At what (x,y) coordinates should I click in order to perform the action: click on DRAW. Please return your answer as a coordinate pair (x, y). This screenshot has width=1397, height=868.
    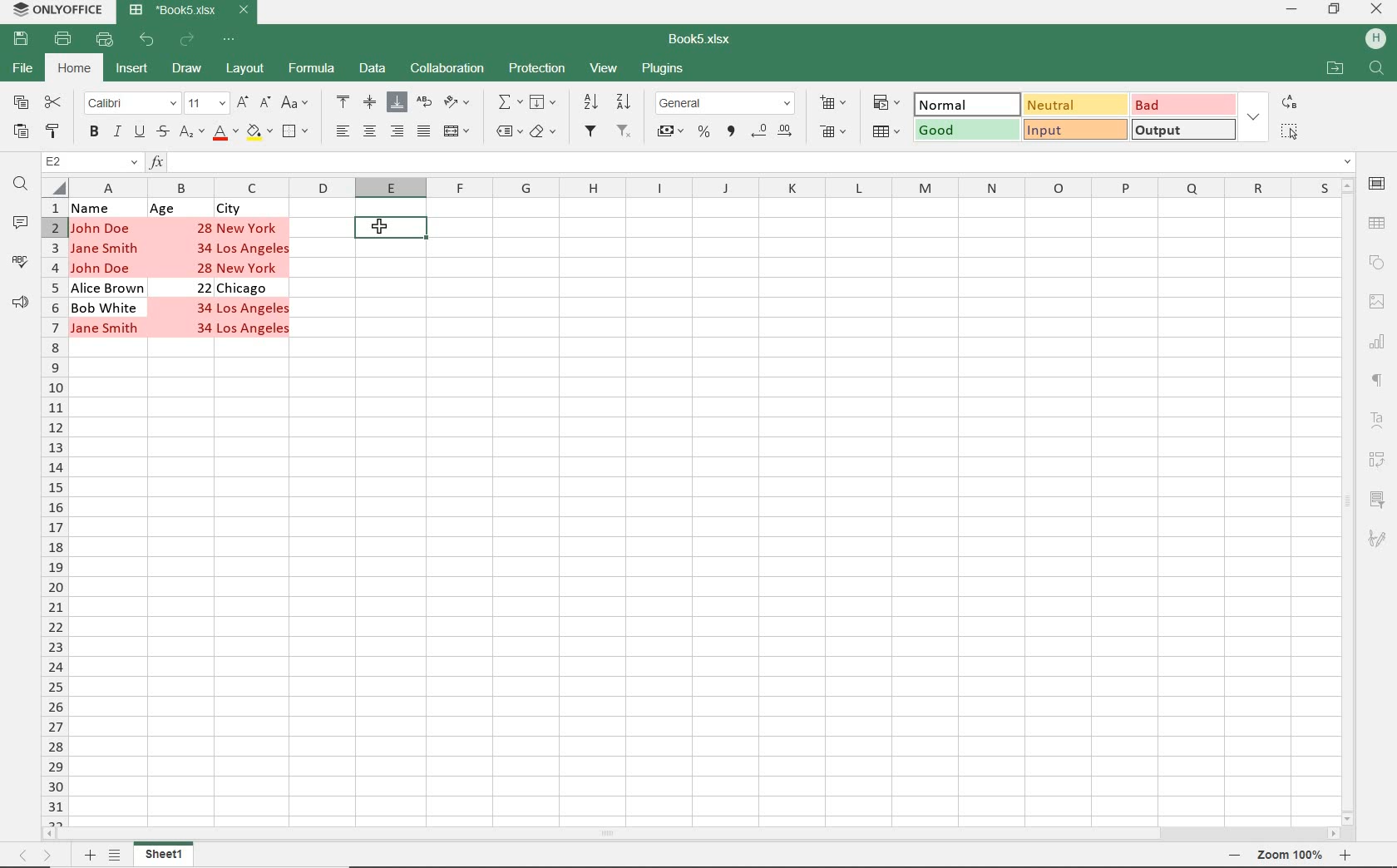
    Looking at the image, I should click on (187, 67).